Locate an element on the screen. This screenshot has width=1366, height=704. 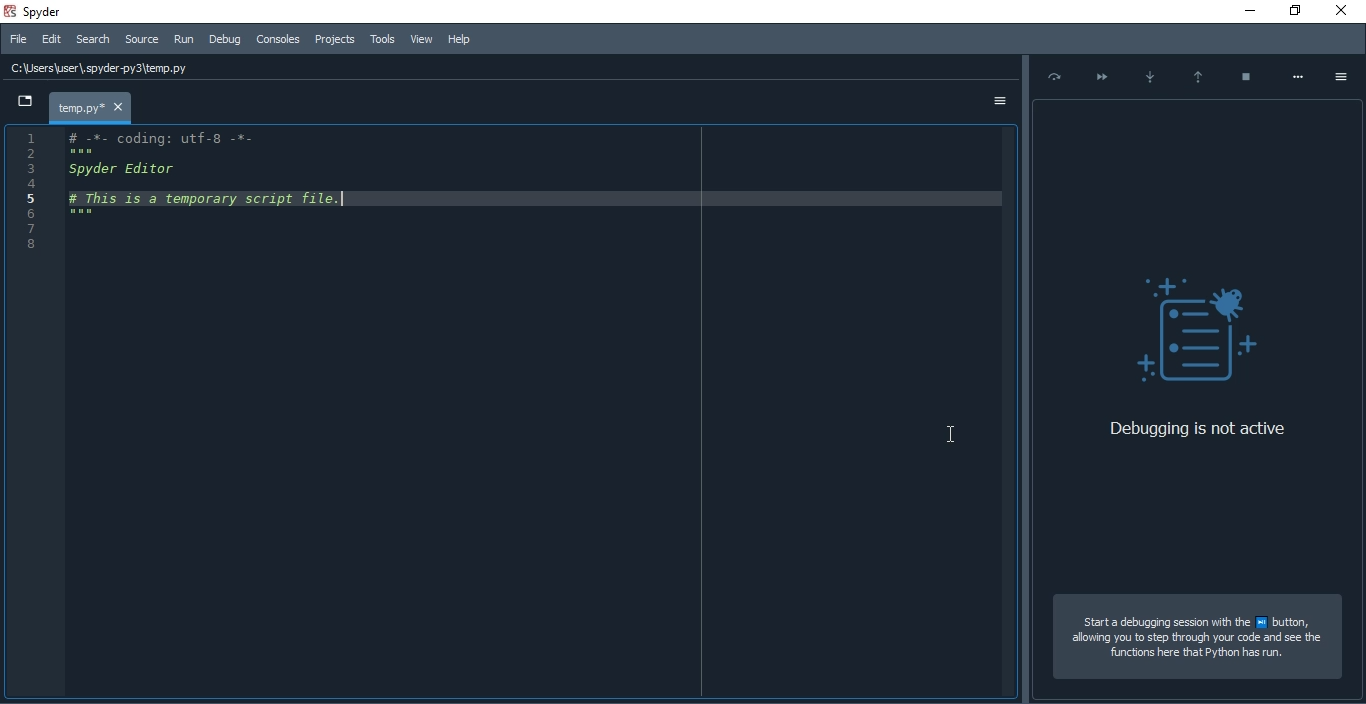
Continue execution until next breakpoint is located at coordinates (1099, 74).